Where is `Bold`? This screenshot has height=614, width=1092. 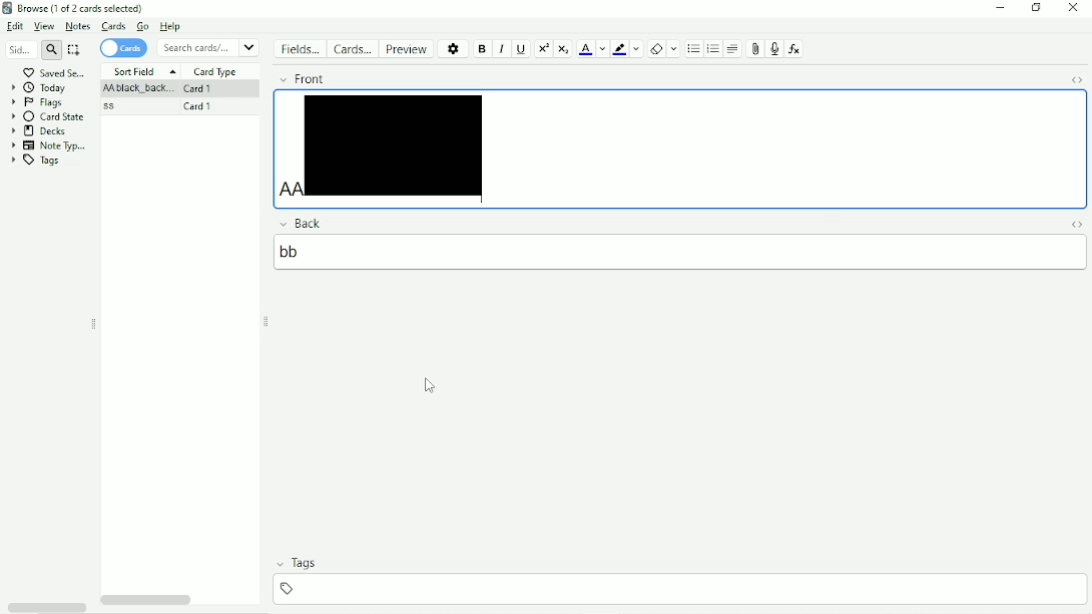 Bold is located at coordinates (483, 49).